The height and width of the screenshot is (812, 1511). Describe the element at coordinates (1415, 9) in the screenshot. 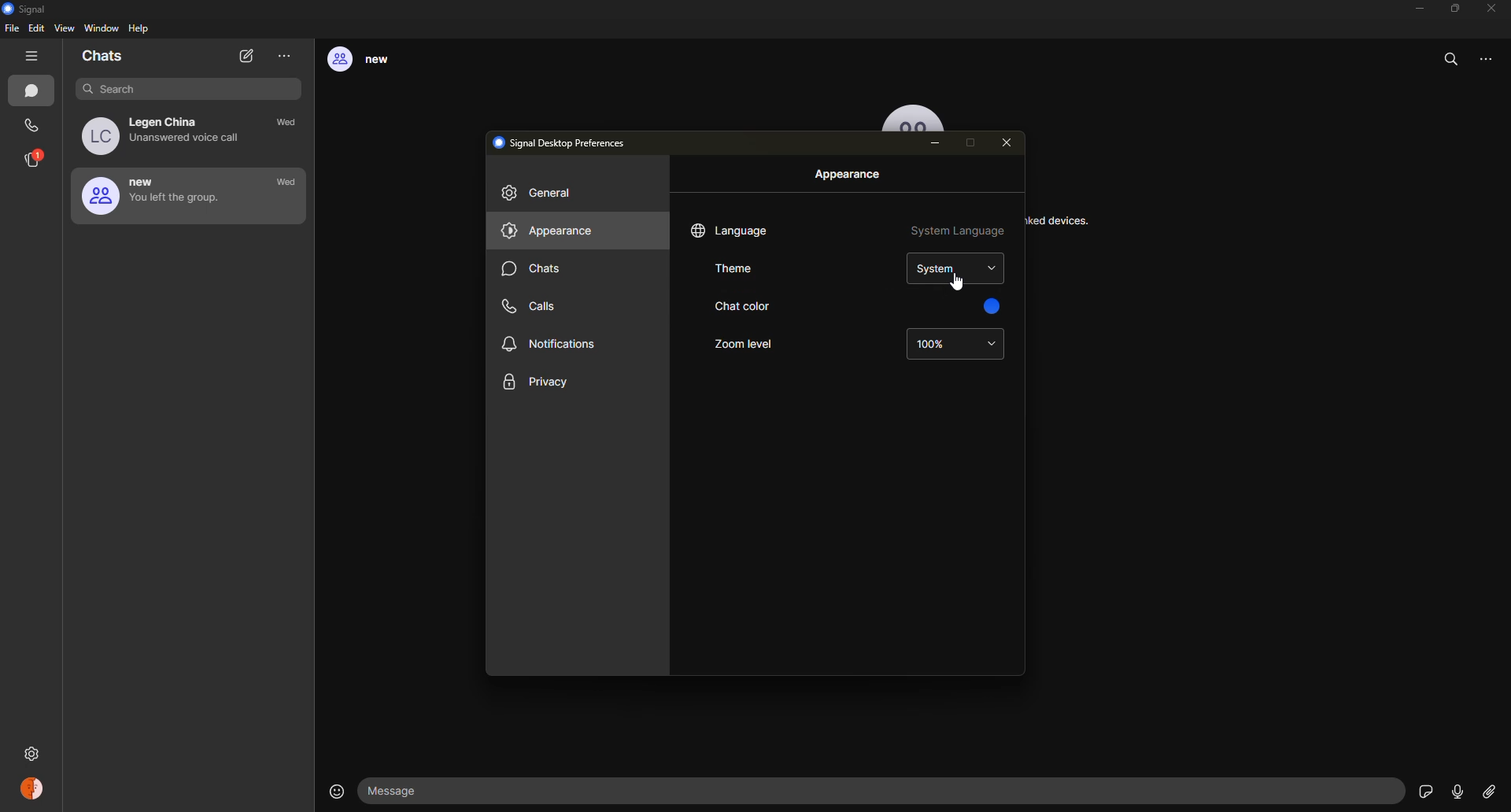

I see `minimize` at that location.